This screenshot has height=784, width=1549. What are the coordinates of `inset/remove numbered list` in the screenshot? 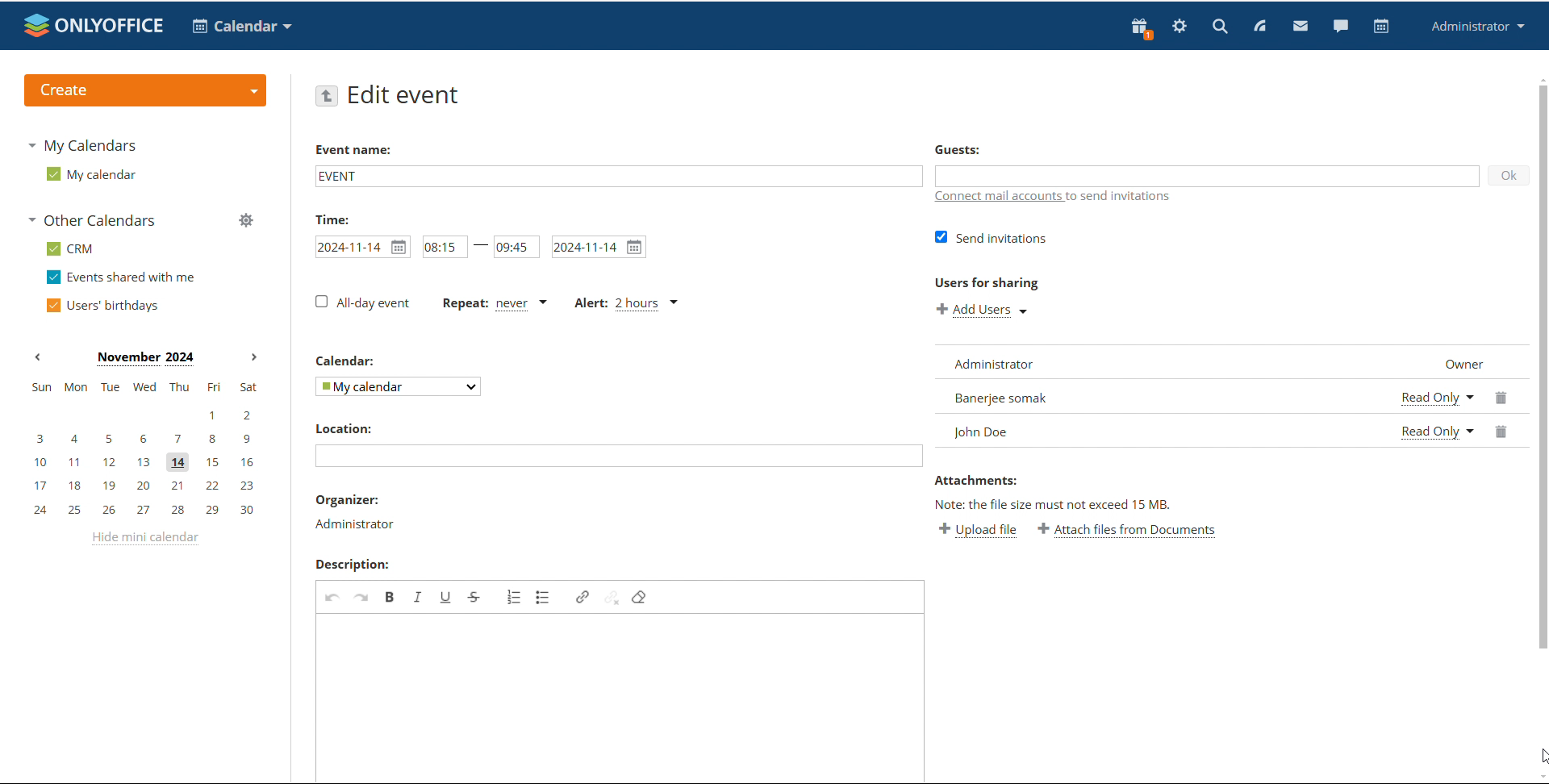 It's located at (514, 597).